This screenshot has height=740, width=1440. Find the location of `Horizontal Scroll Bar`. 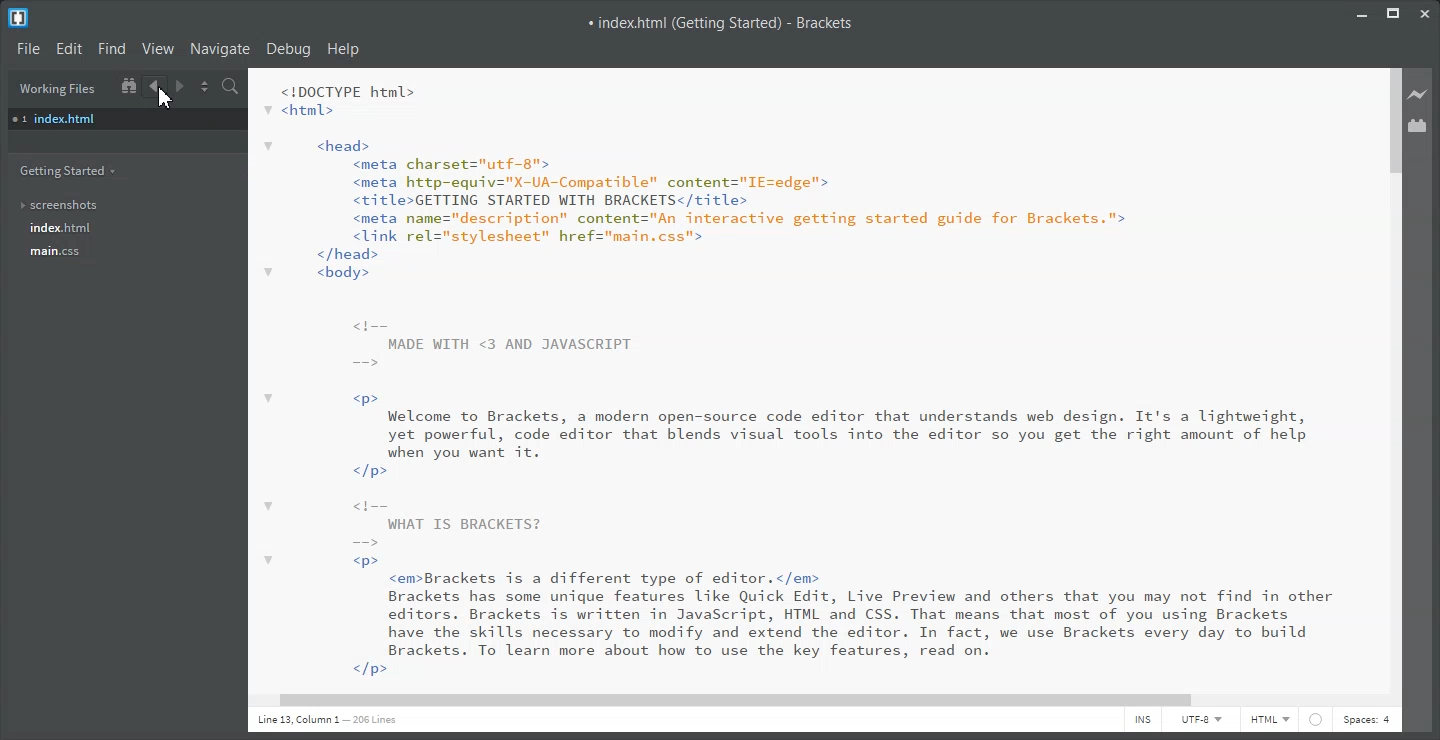

Horizontal Scroll Bar is located at coordinates (820, 699).